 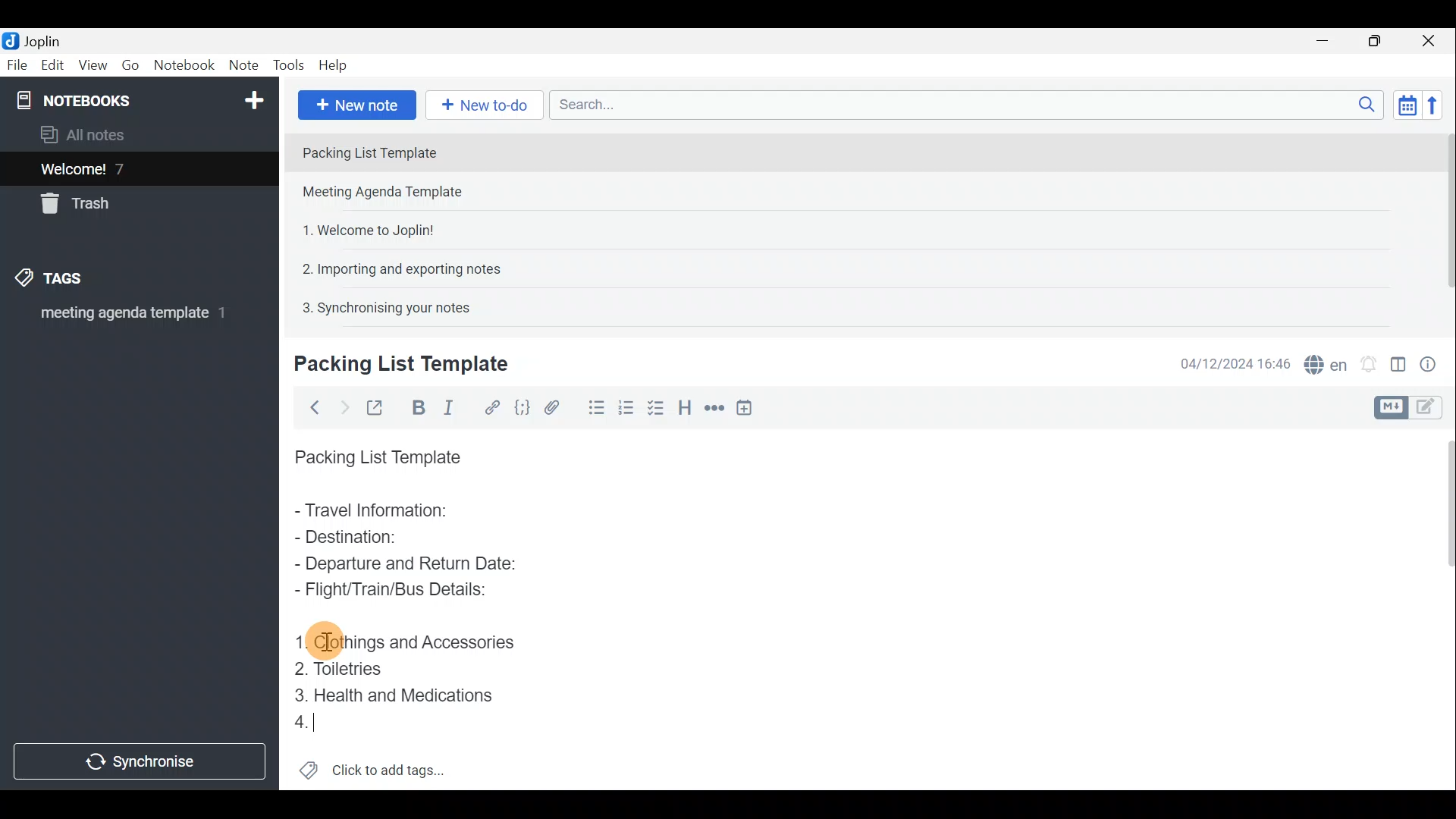 What do you see at coordinates (1235, 362) in the screenshot?
I see `Date & time` at bounding box center [1235, 362].